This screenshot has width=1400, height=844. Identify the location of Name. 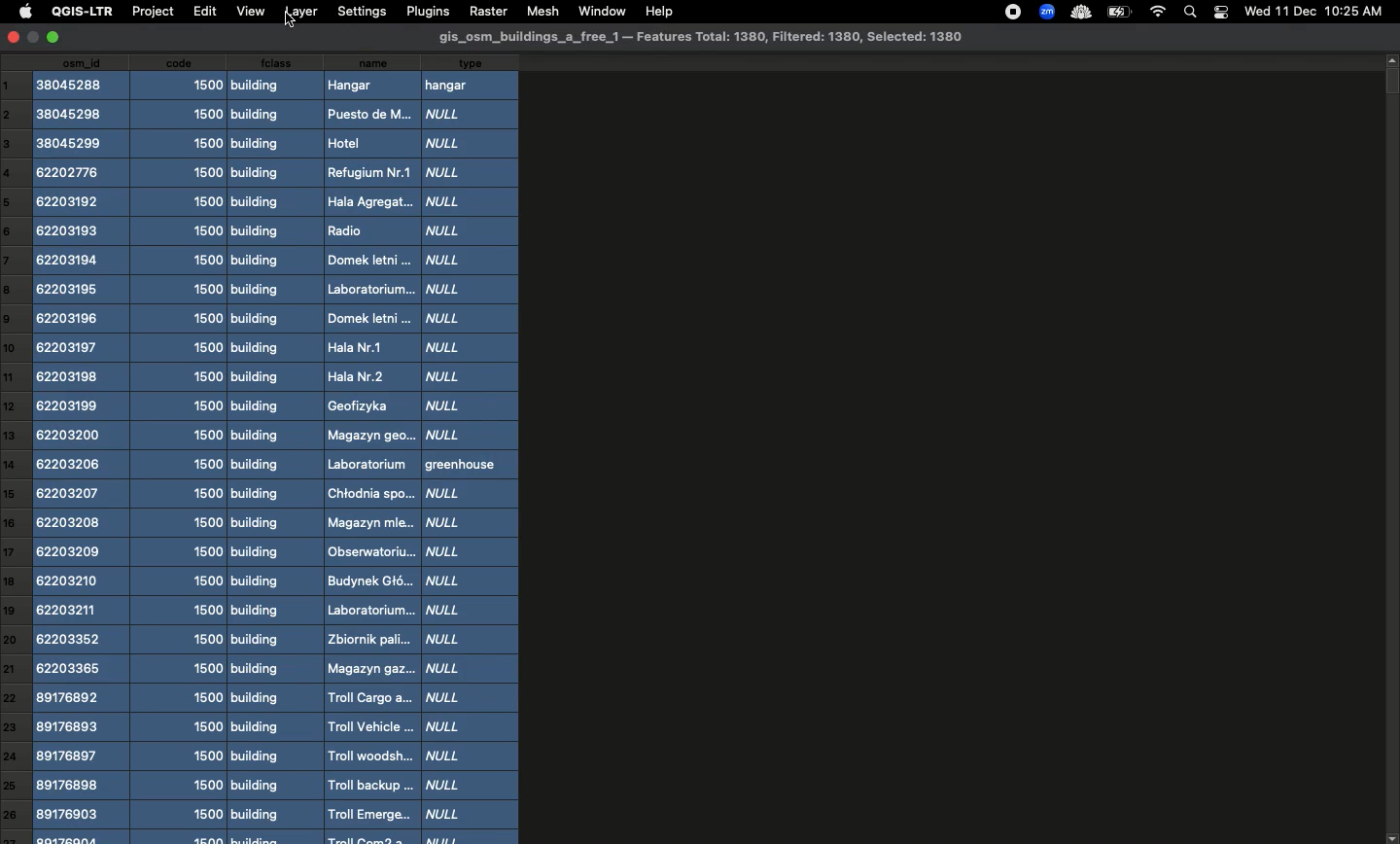
(368, 449).